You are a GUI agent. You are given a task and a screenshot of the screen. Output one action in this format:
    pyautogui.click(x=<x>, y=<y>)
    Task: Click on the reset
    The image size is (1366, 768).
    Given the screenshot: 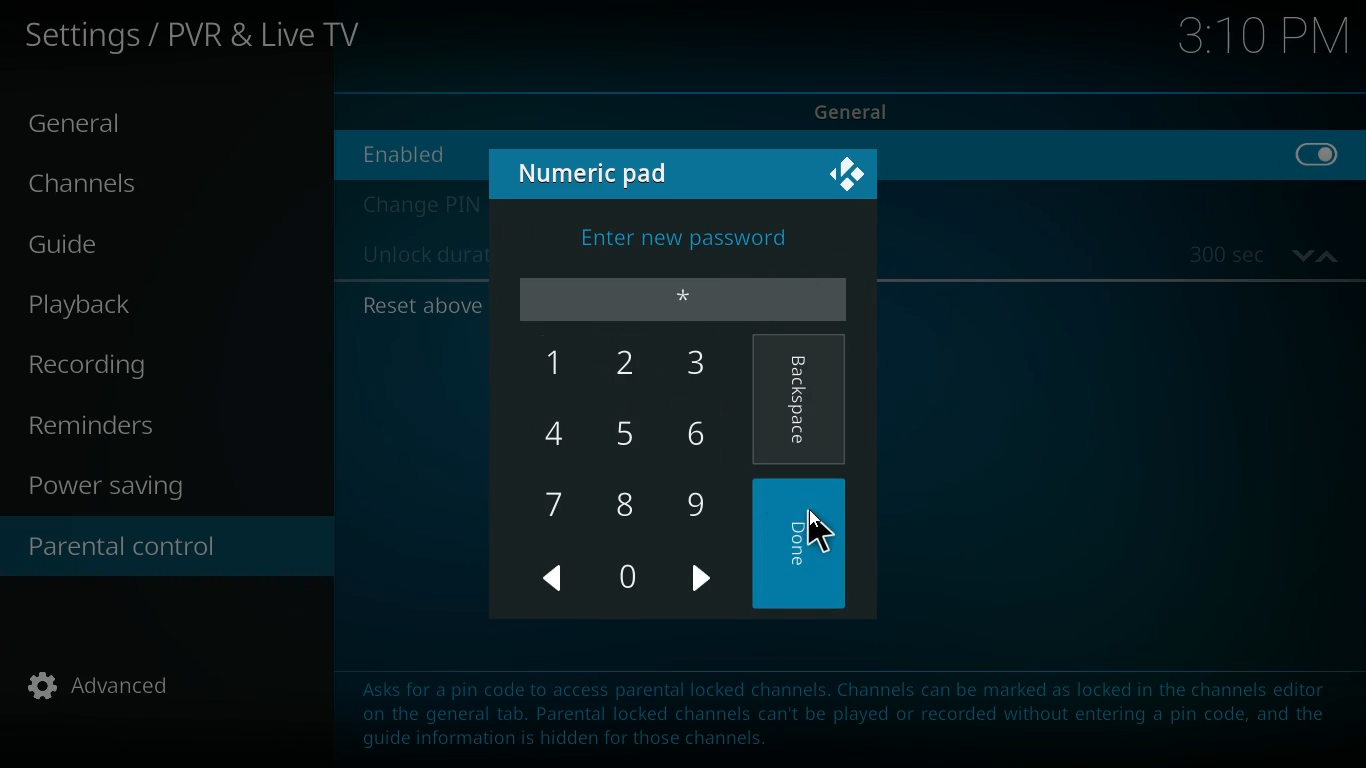 What is the action you would take?
    pyautogui.click(x=419, y=306)
    